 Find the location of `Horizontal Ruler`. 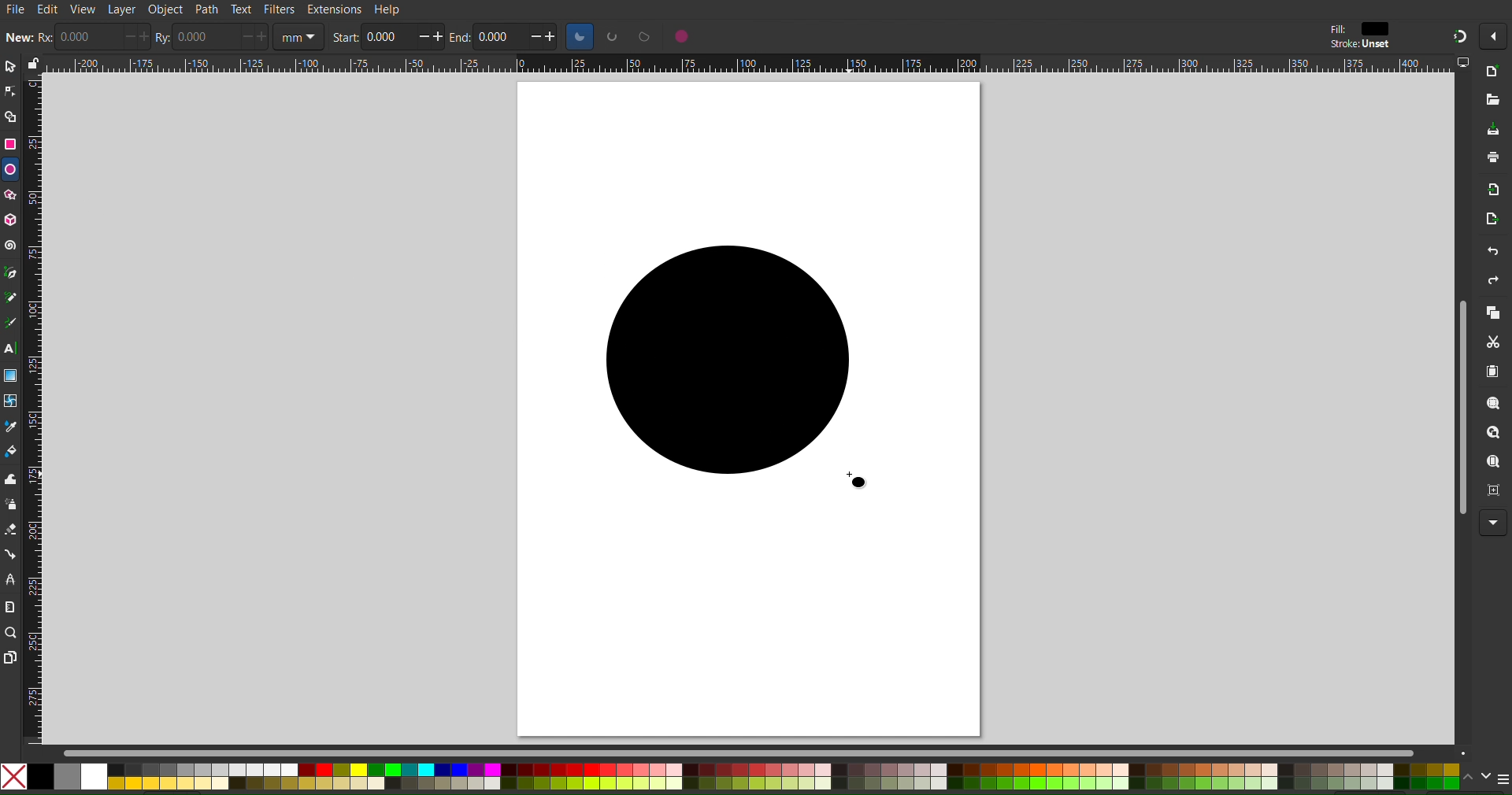

Horizontal Ruler is located at coordinates (749, 65).